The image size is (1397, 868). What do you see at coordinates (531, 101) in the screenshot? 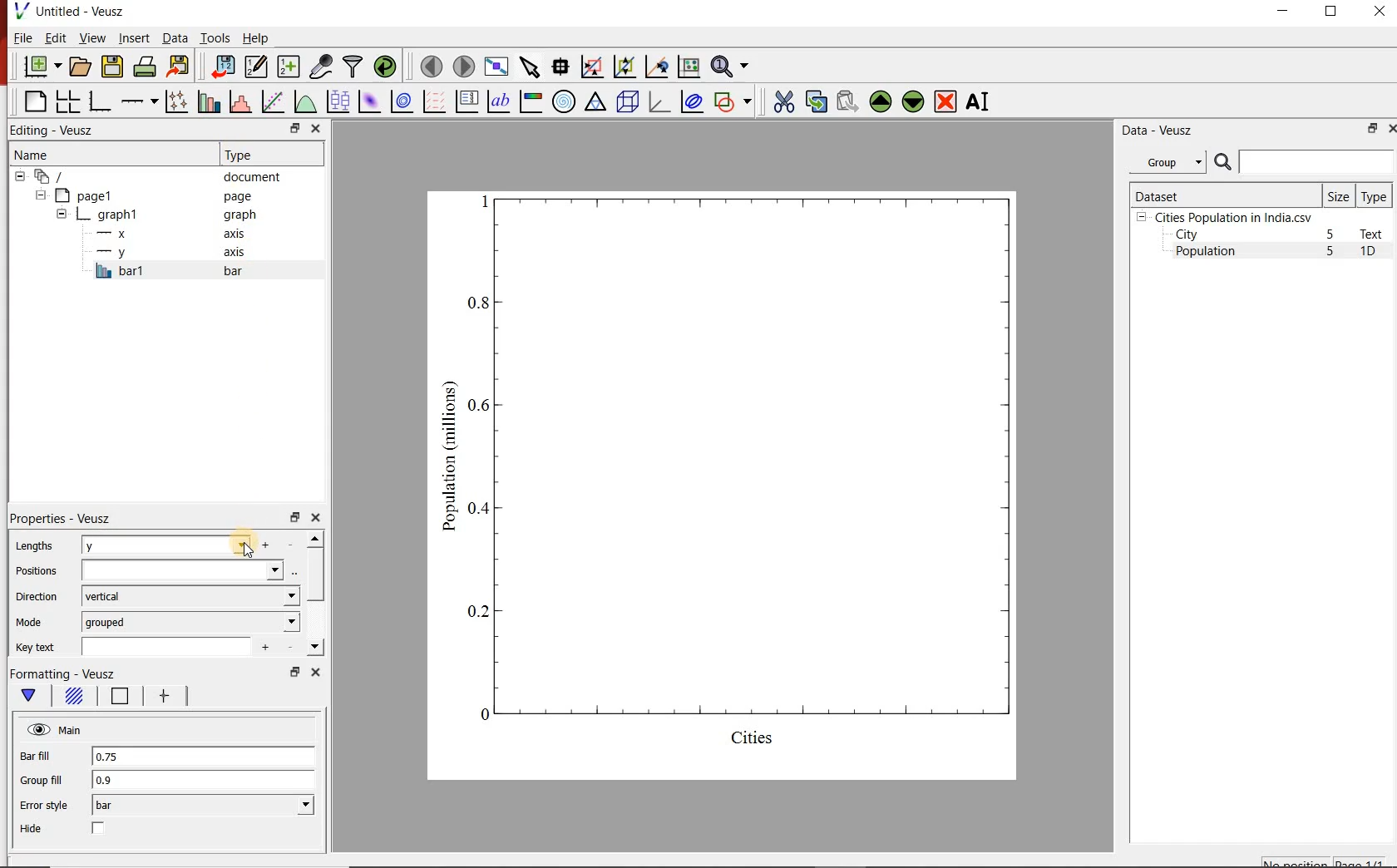
I see `image color bar` at bounding box center [531, 101].